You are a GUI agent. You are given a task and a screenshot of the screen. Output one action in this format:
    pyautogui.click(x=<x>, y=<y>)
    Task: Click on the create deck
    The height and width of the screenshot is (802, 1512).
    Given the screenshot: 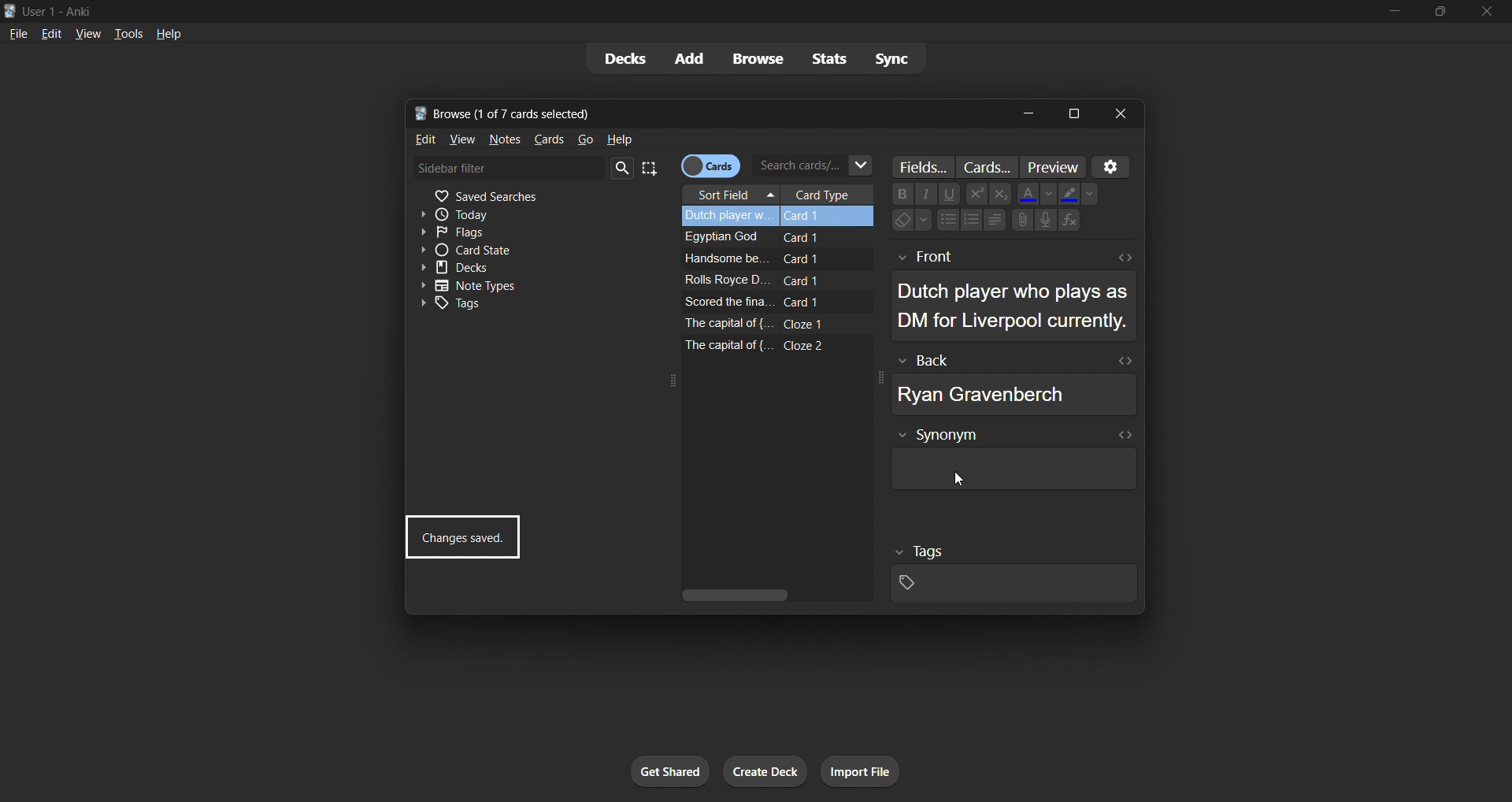 What is the action you would take?
    pyautogui.click(x=765, y=772)
    